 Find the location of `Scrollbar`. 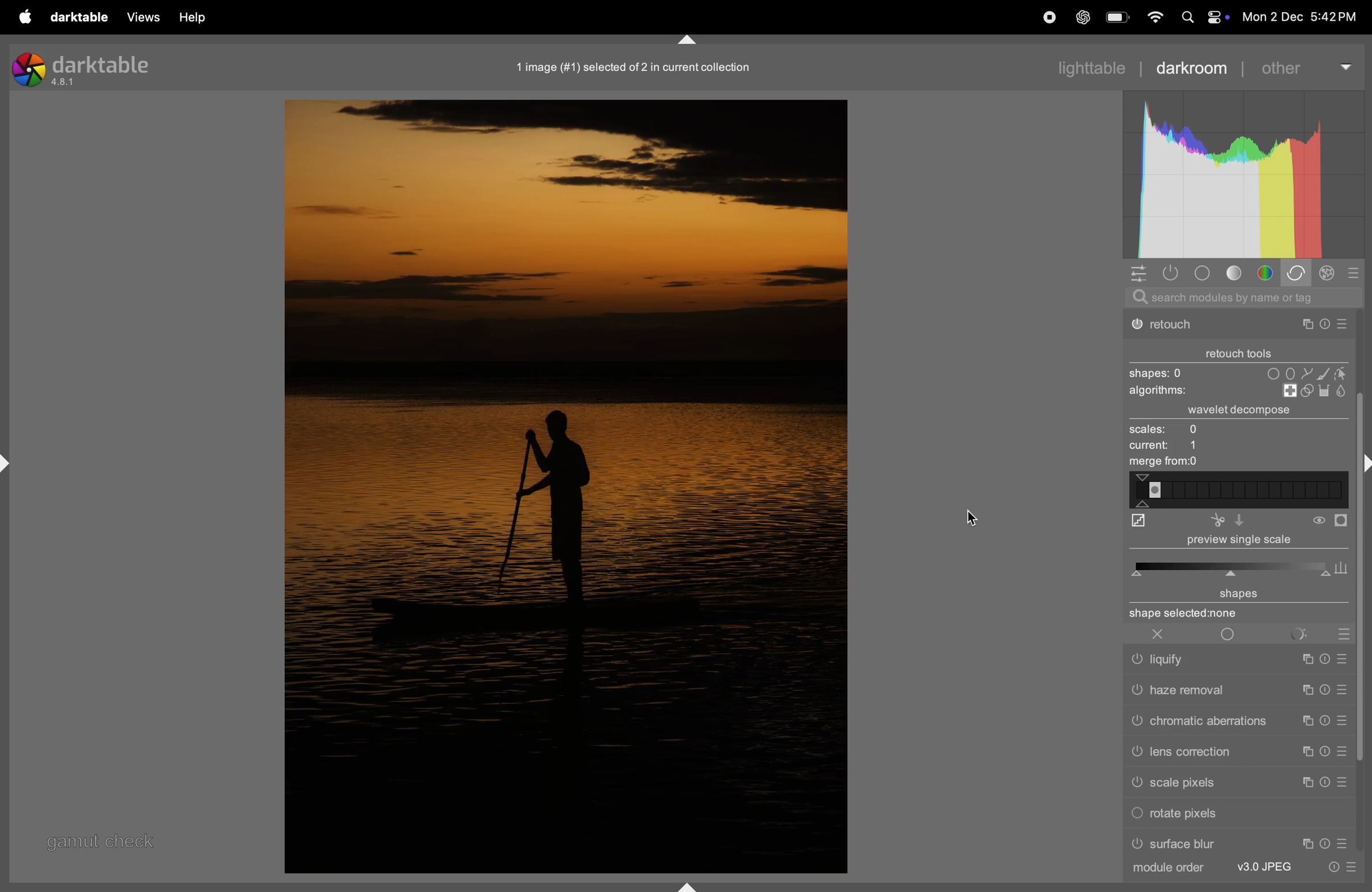

Scrollbar is located at coordinates (1363, 651).